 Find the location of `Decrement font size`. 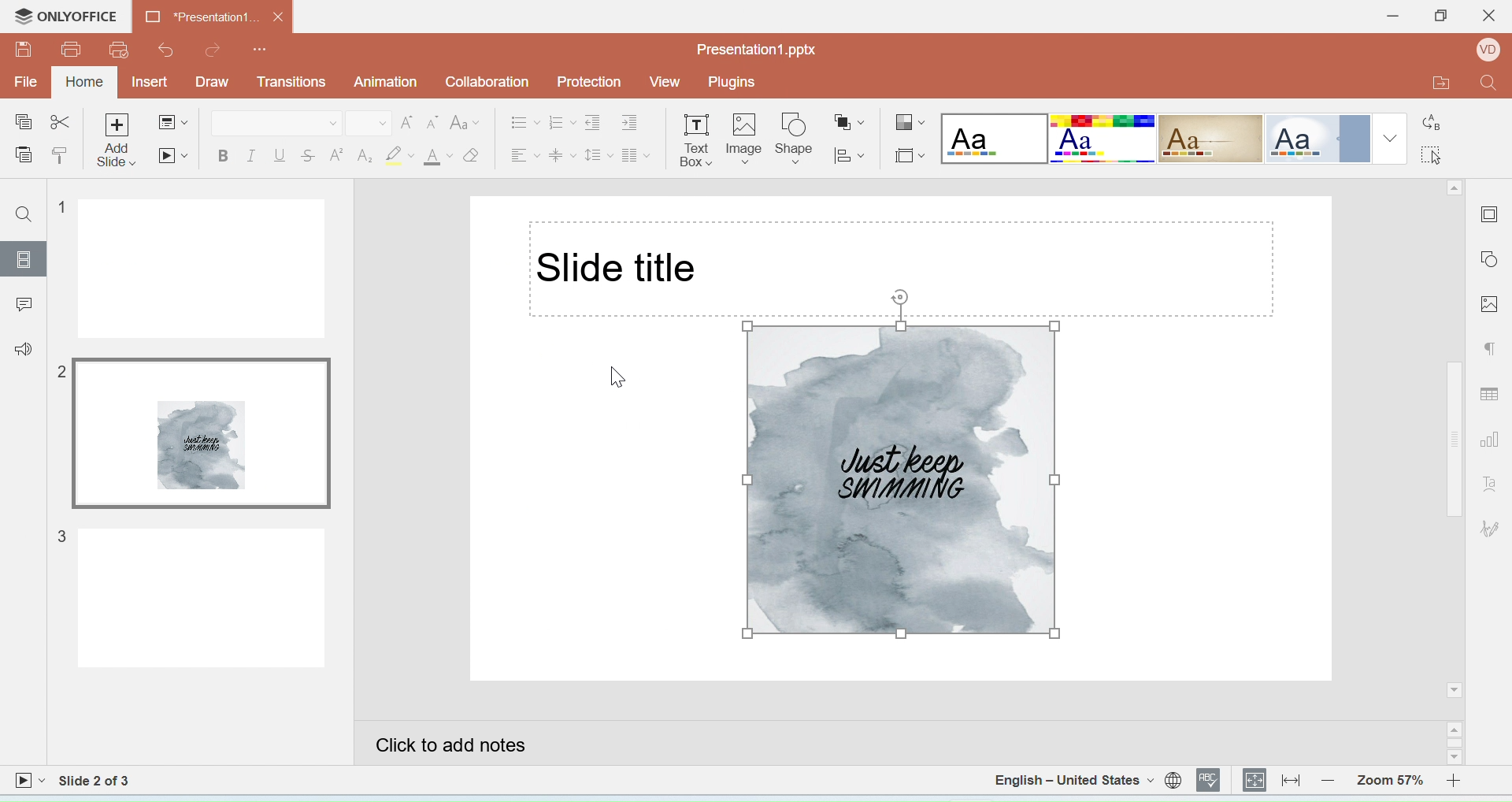

Decrement font size is located at coordinates (432, 124).